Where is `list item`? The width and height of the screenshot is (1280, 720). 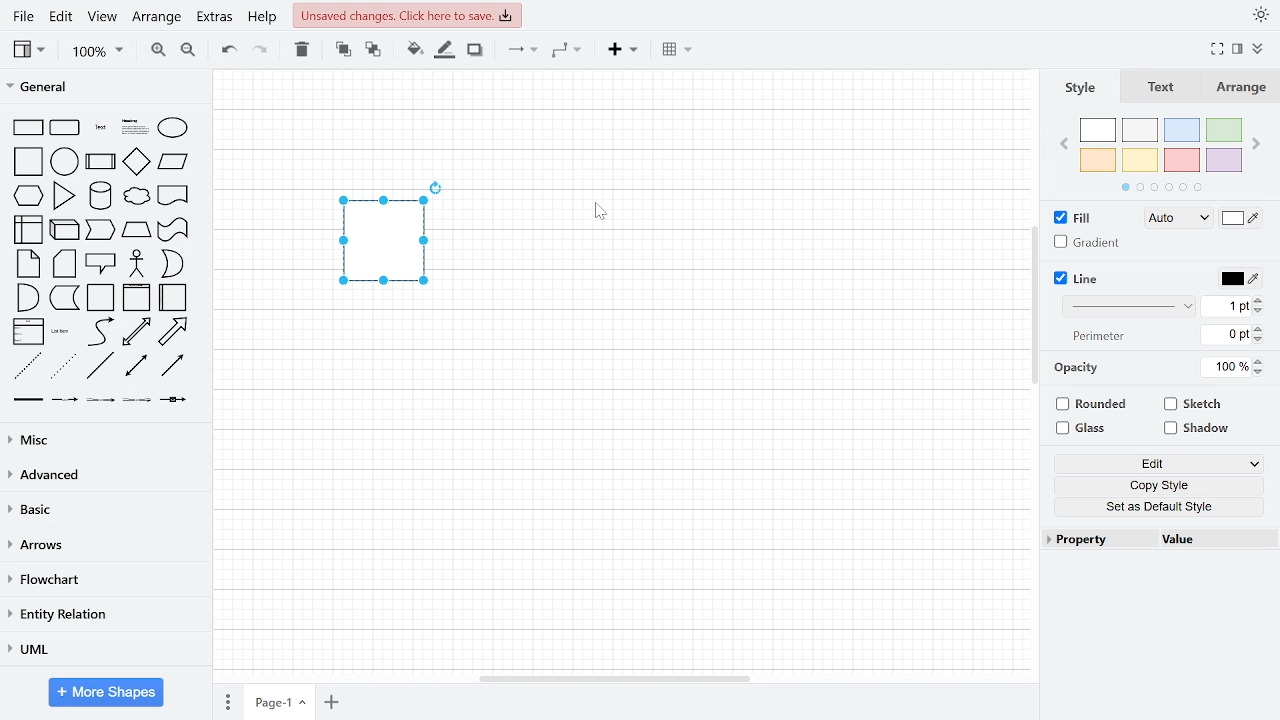 list item is located at coordinates (63, 333).